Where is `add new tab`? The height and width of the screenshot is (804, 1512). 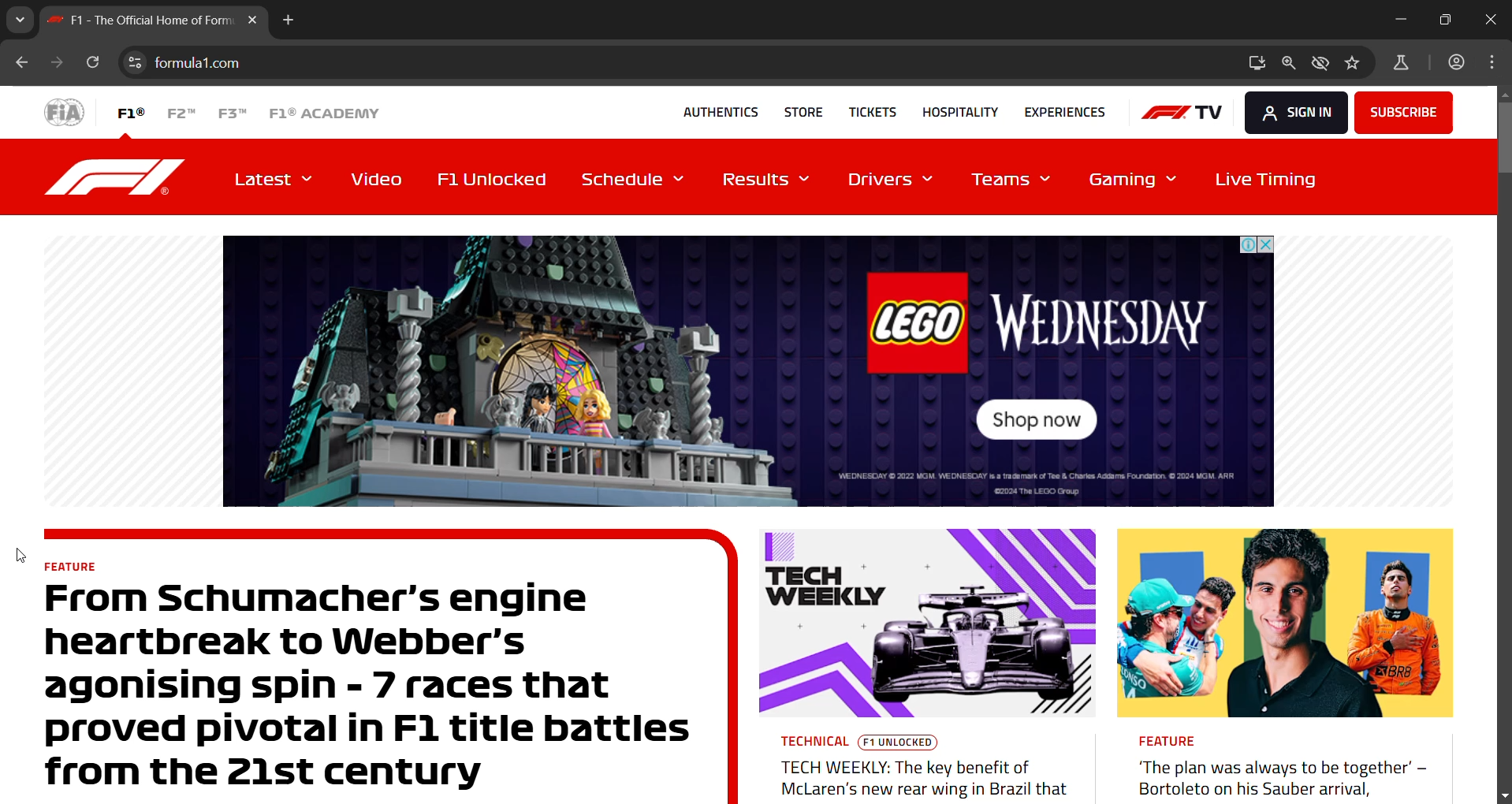
add new tab is located at coordinates (289, 24).